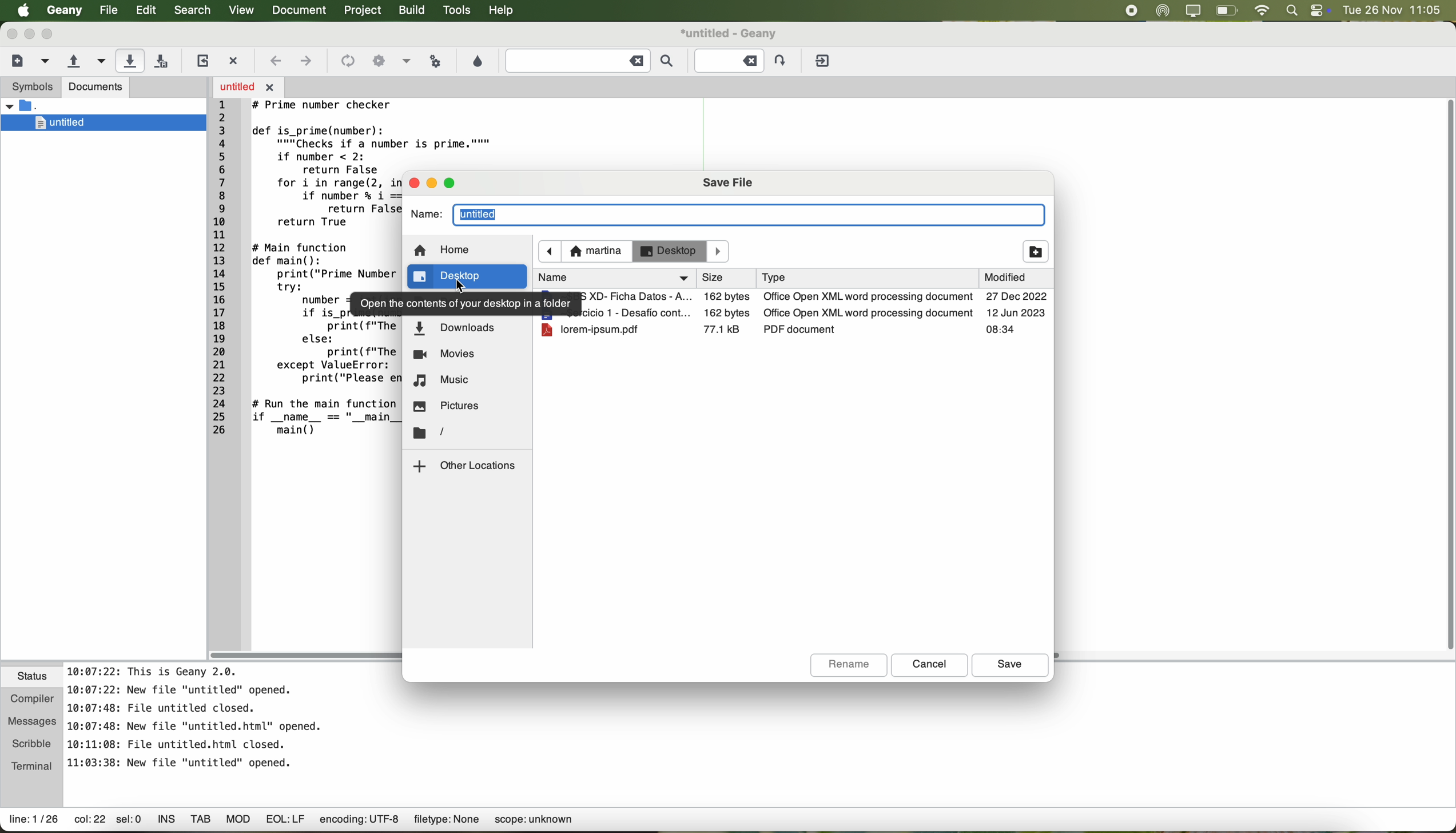 The image size is (1456, 833). I want to click on terminal, so click(33, 766).